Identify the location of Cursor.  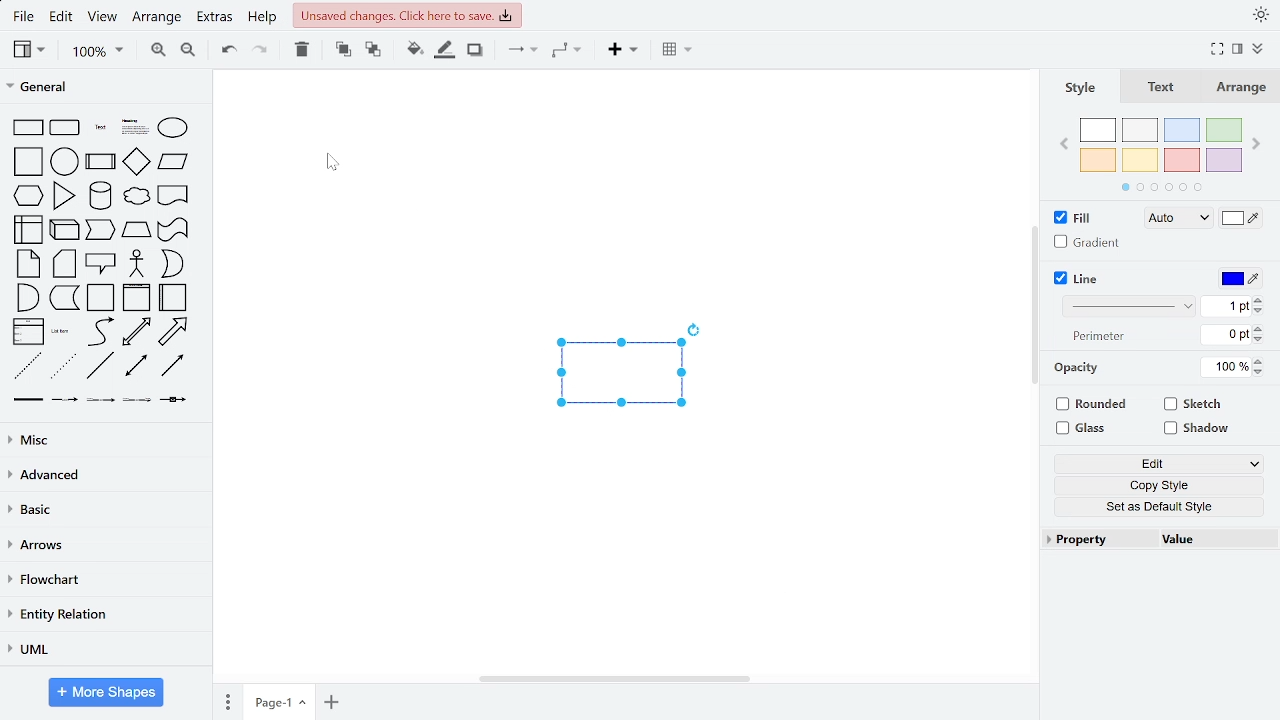
(330, 165).